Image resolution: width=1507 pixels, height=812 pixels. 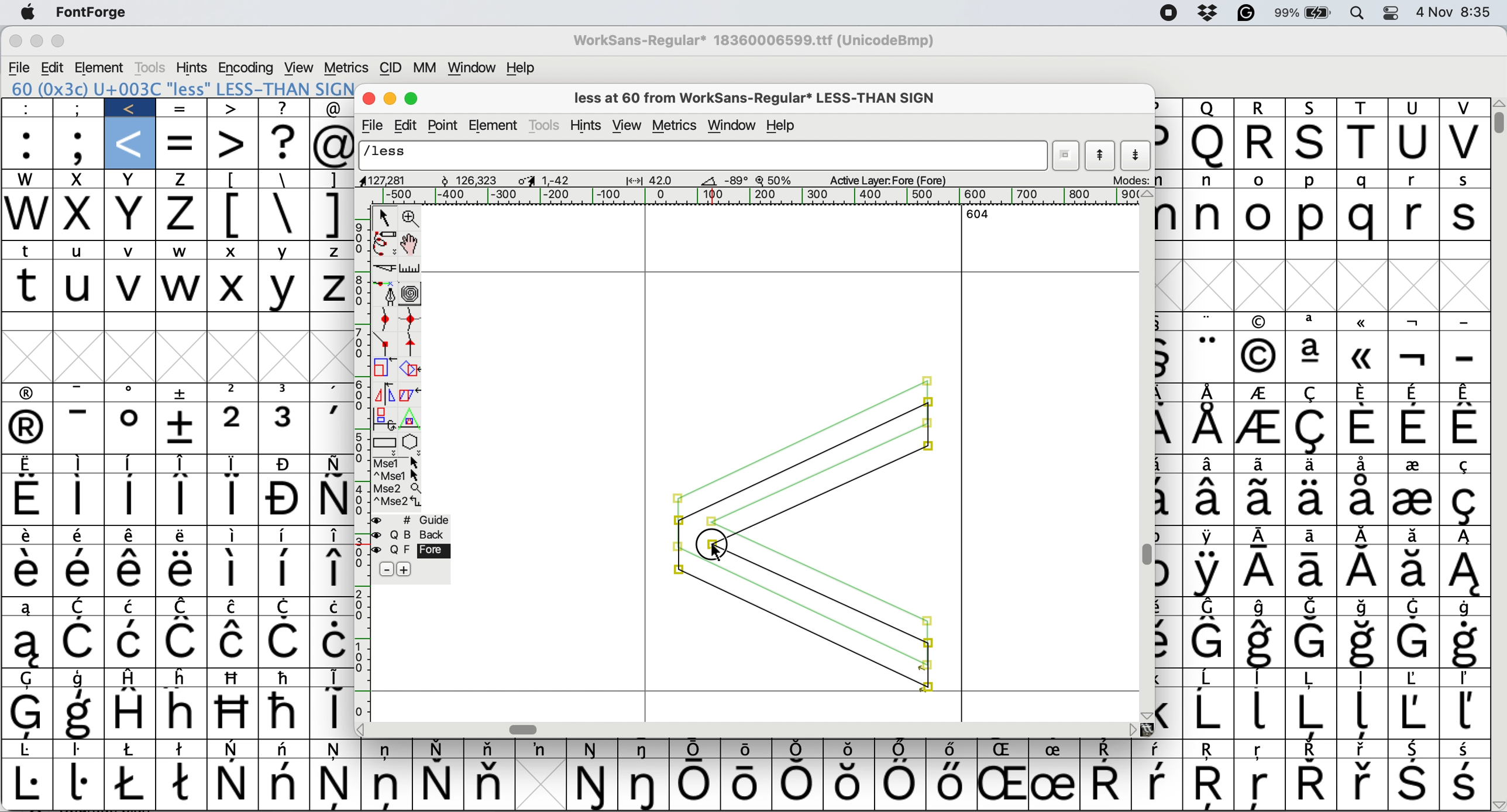 What do you see at coordinates (1312, 785) in the screenshot?
I see `Symbol` at bounding box center [1312, 785].